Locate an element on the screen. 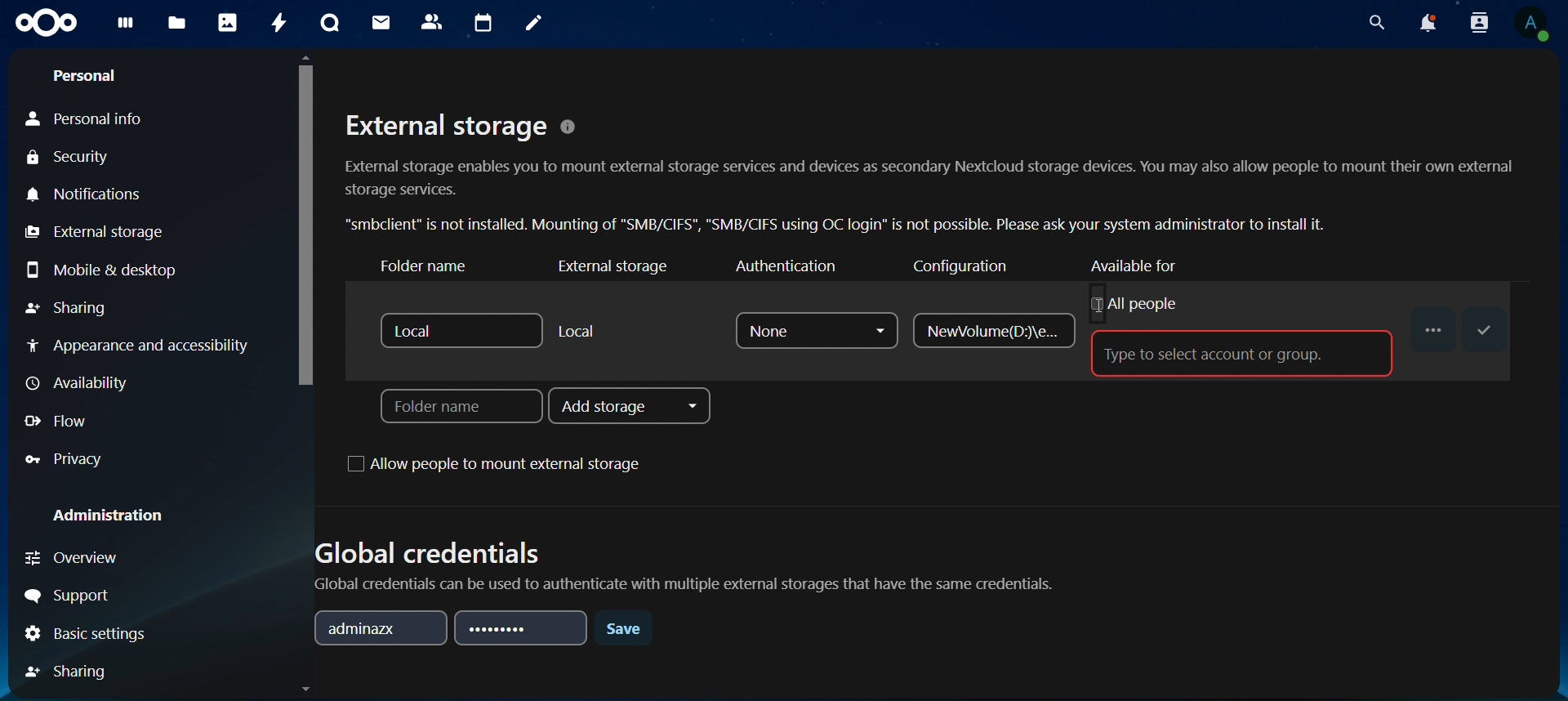  sharing is located at coordinates (72, 671).